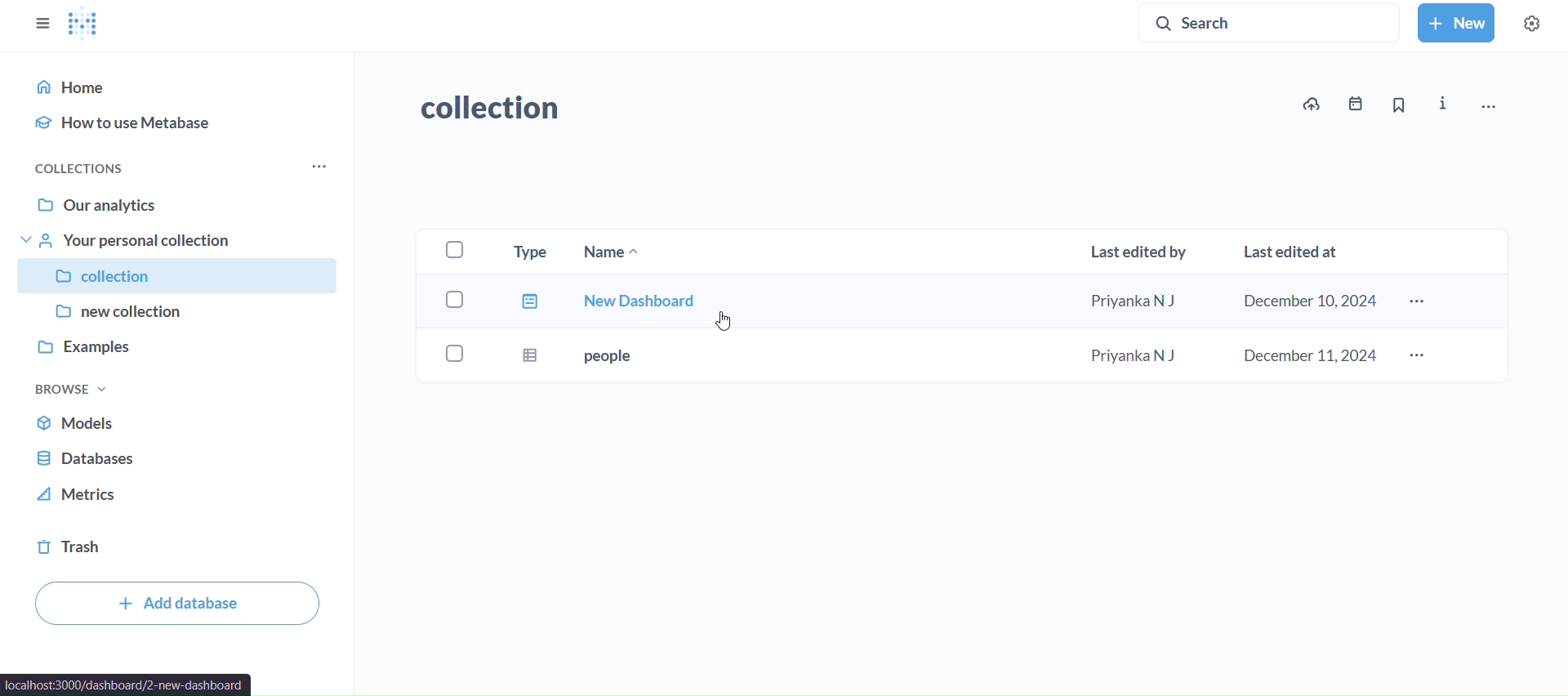 Image resolution: width=1568 pixels, height=696 pixels. I want to click on your personal collection, so click(182, 242).